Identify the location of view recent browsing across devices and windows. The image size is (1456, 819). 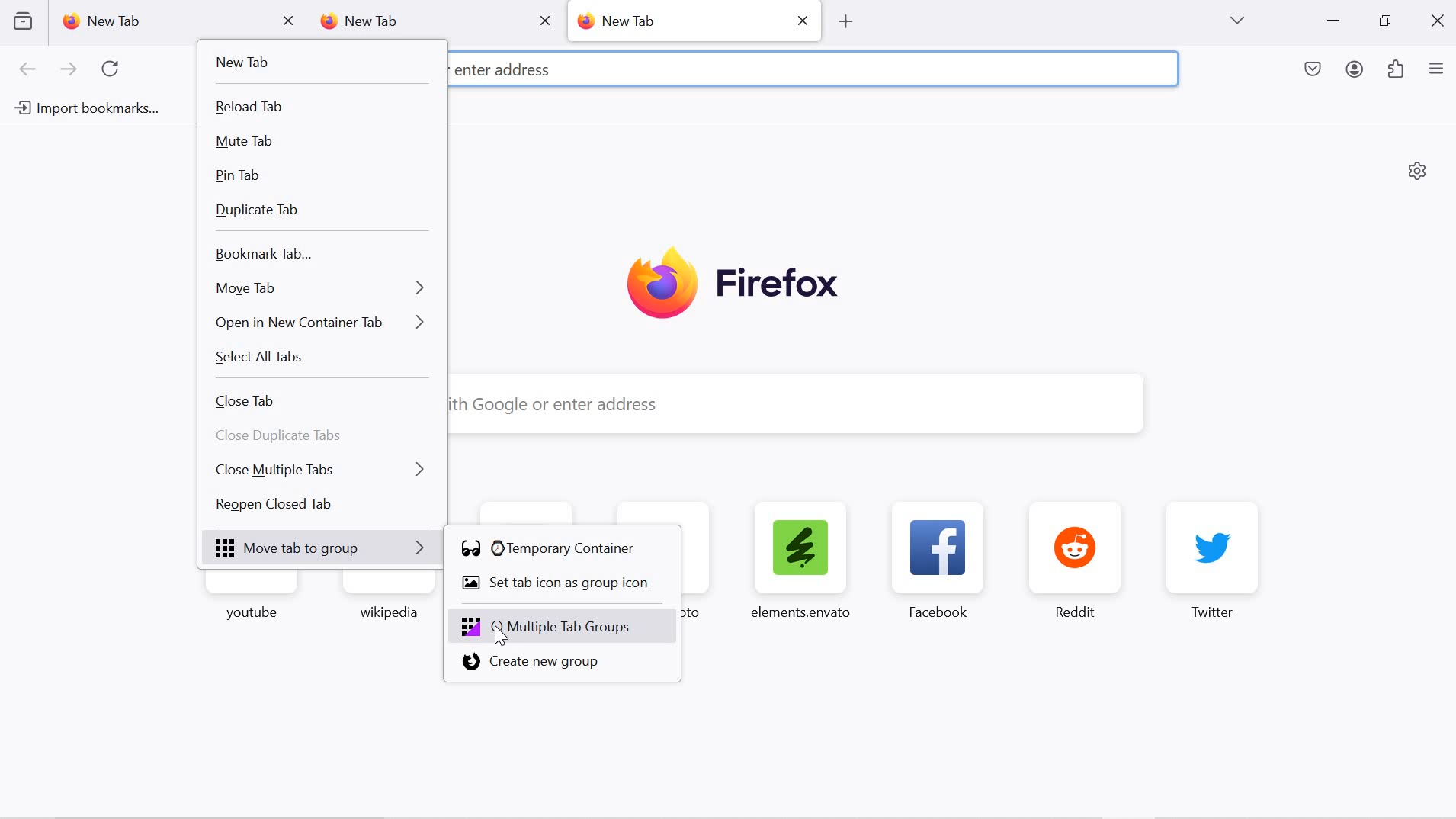
(22, 21).